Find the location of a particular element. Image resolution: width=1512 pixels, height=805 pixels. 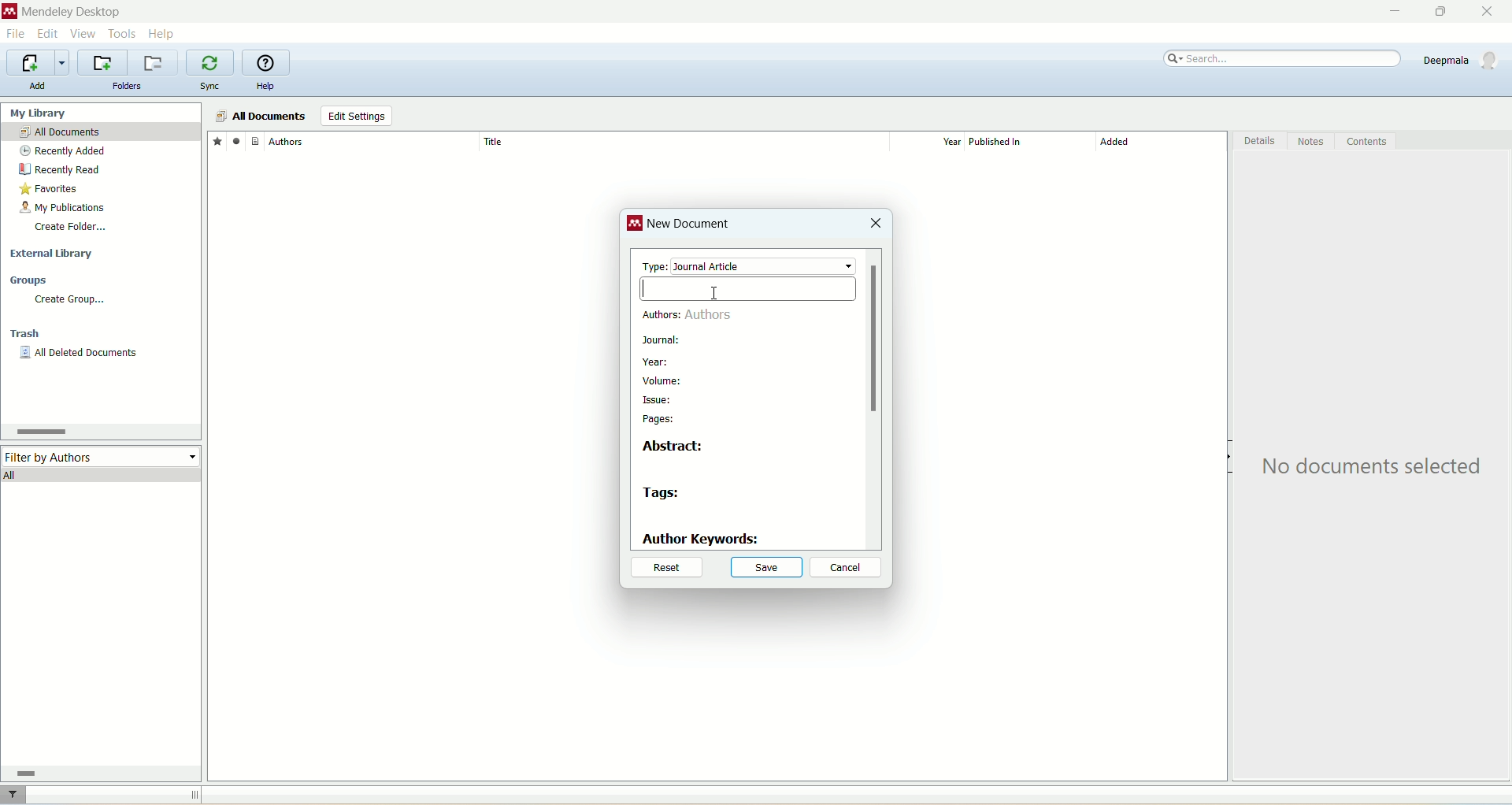

reset is located at coordinates (665, 569).